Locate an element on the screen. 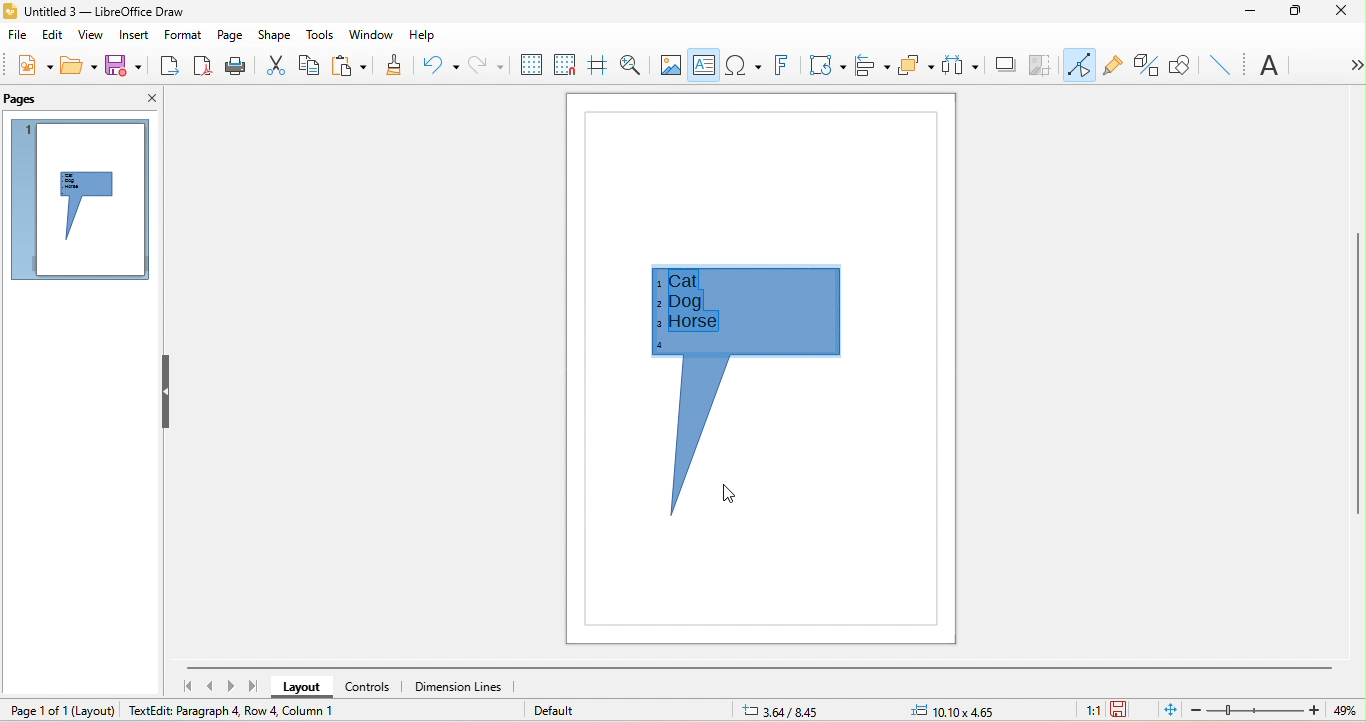 Image resolution: width=1366 pixels, height=722 pixels. file is located at coordinates (18, 38).